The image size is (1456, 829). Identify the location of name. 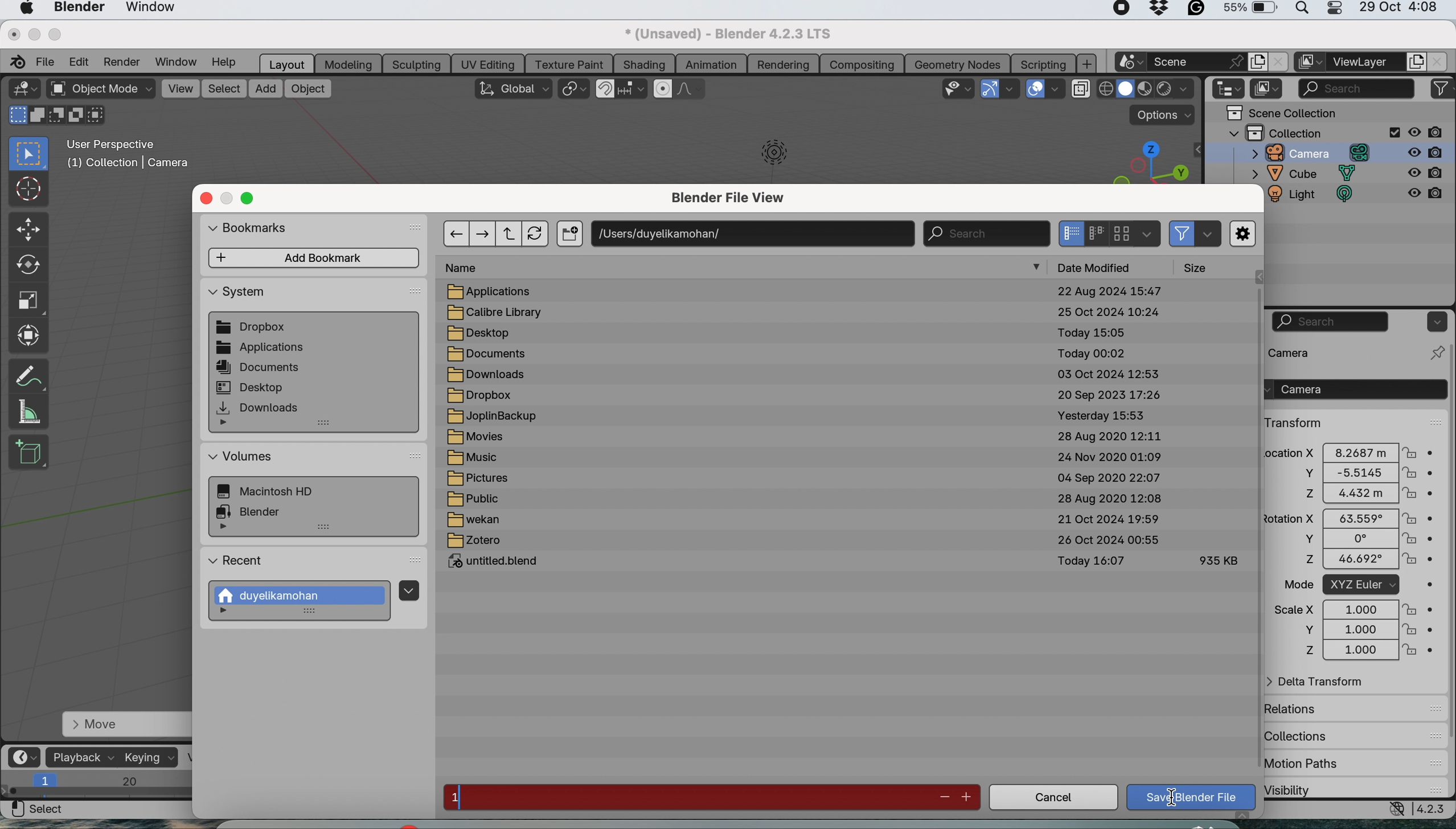
(469, 268).